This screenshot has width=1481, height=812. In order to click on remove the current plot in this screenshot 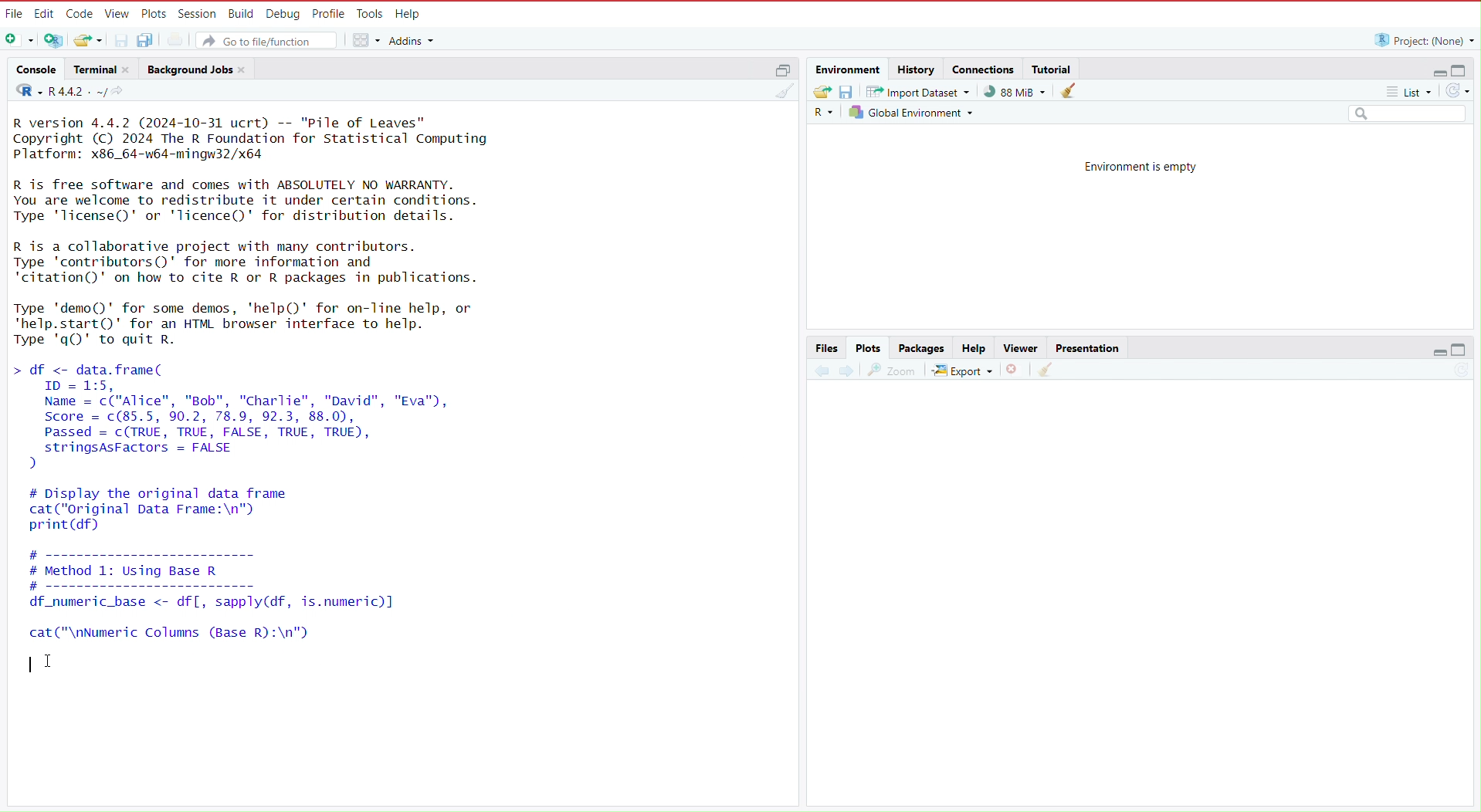, I will do `click(1014, 370)`.